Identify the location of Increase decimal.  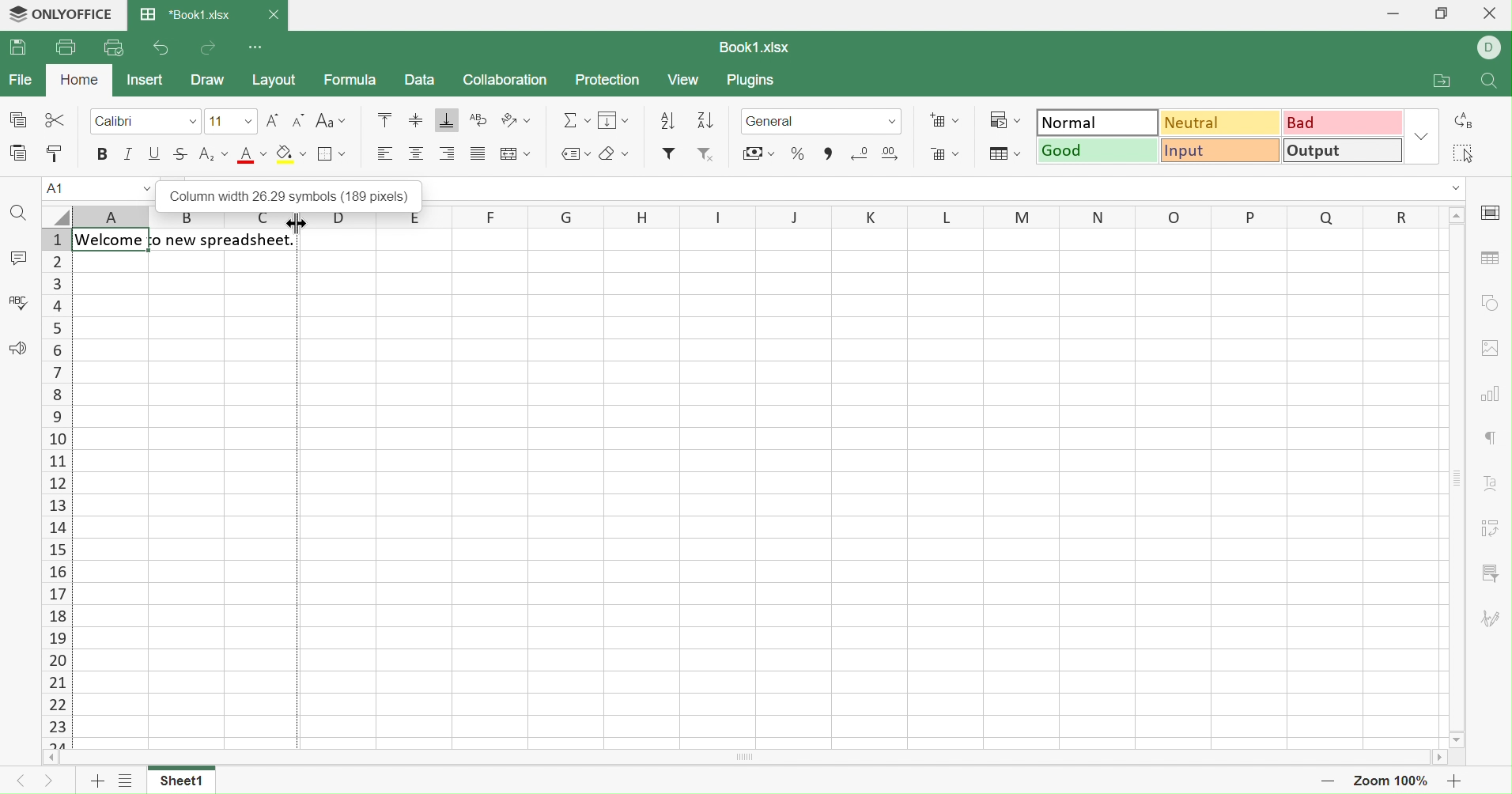
(891, 154).